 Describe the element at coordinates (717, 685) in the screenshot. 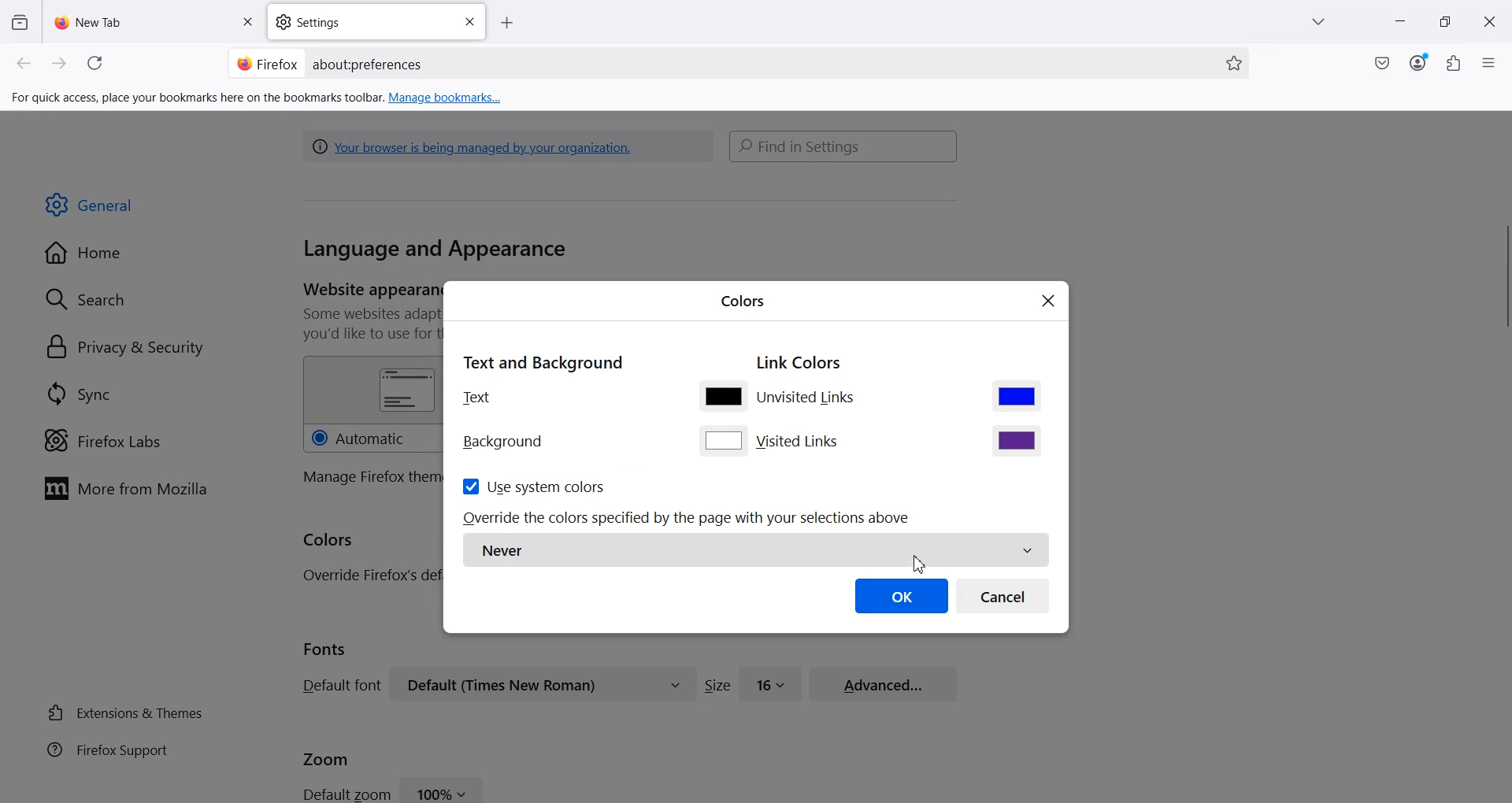

I see `Size` at that location.